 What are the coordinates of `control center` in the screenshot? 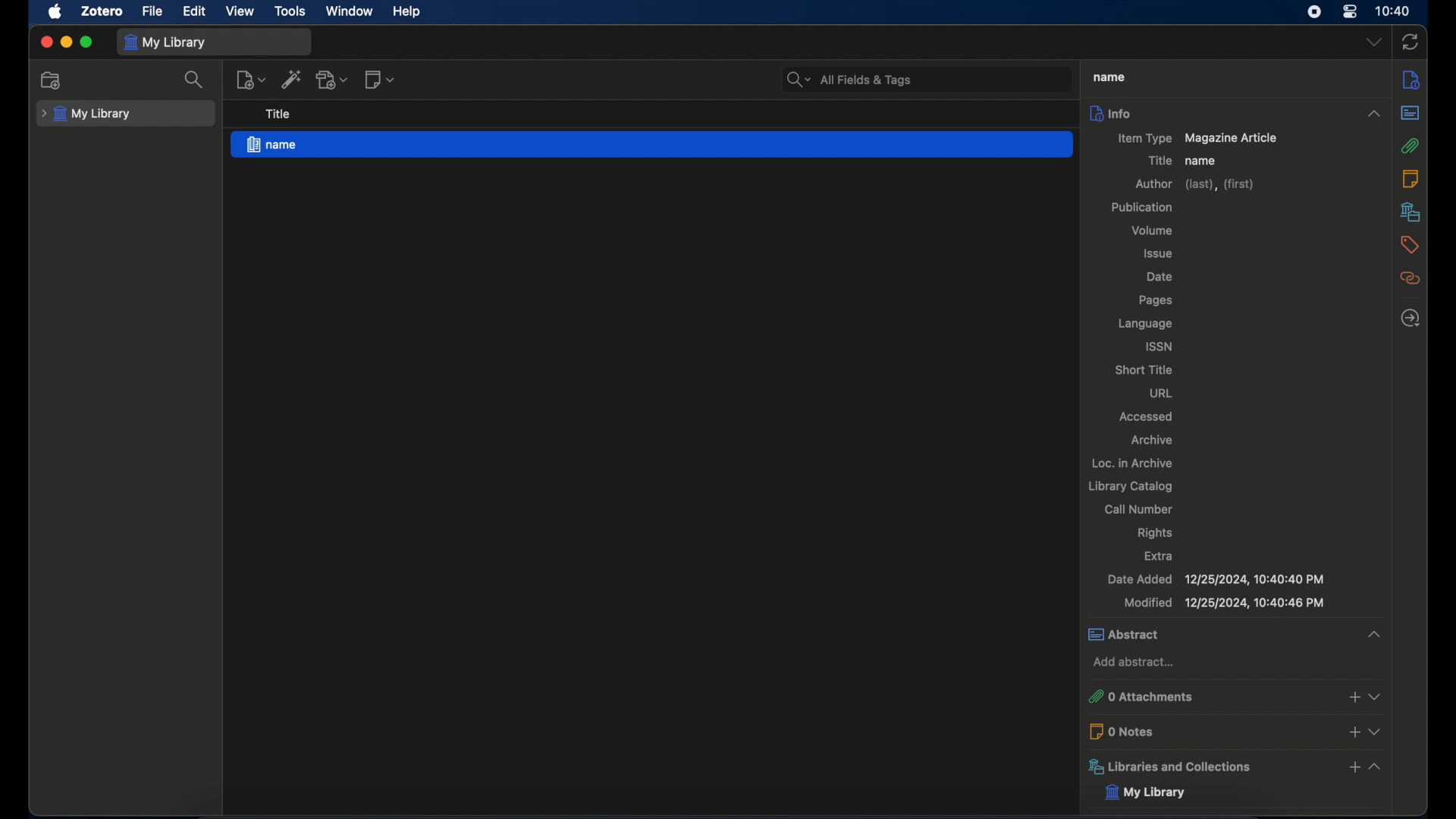 It's located at (1350, 12).